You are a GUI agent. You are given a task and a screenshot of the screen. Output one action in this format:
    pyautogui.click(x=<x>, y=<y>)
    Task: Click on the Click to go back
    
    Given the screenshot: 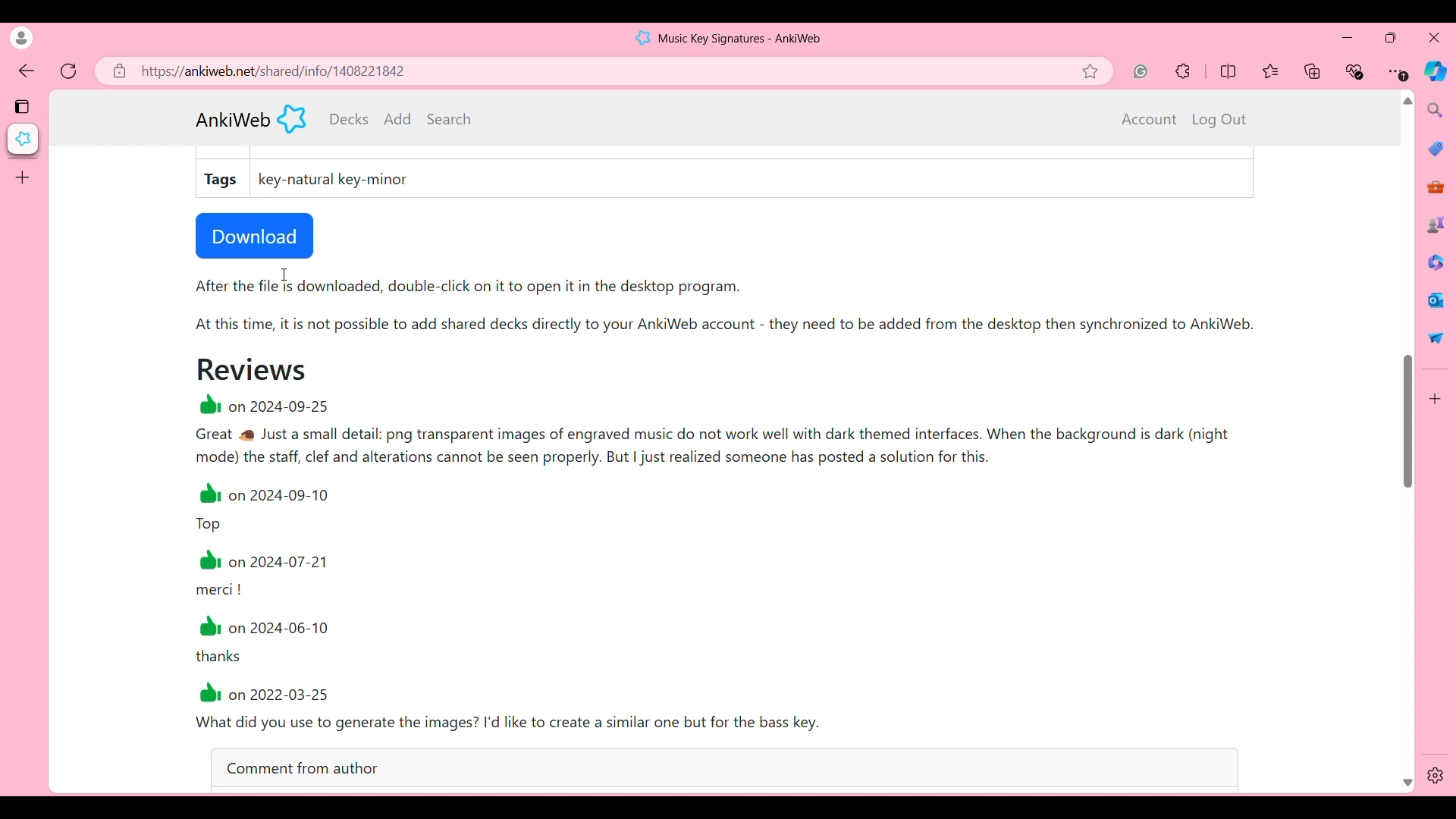 What is the action you would take?
    pyautogui.click(x=27, y=72)
    